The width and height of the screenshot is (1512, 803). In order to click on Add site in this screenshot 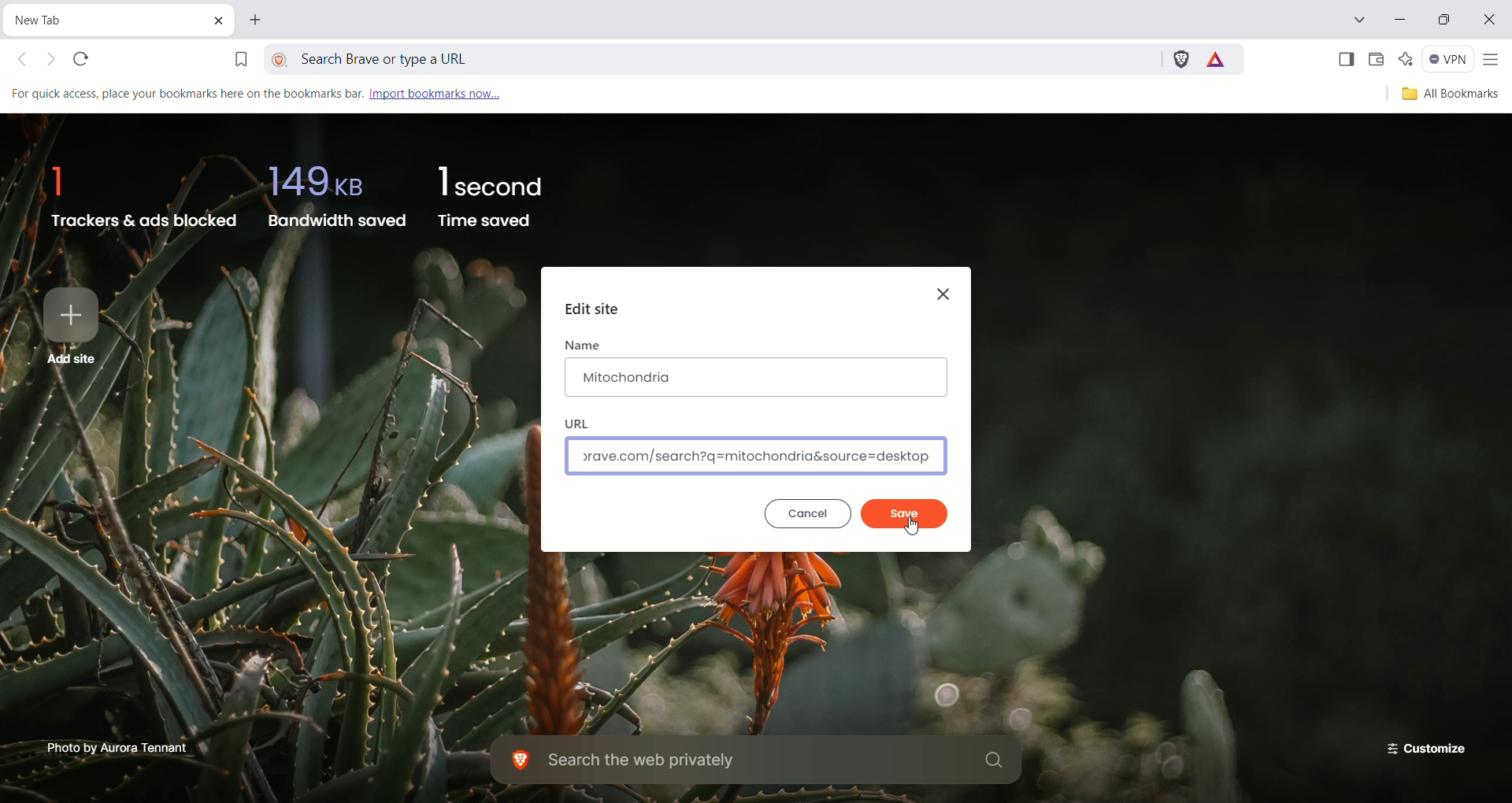, I will do `click(73, 324)`.